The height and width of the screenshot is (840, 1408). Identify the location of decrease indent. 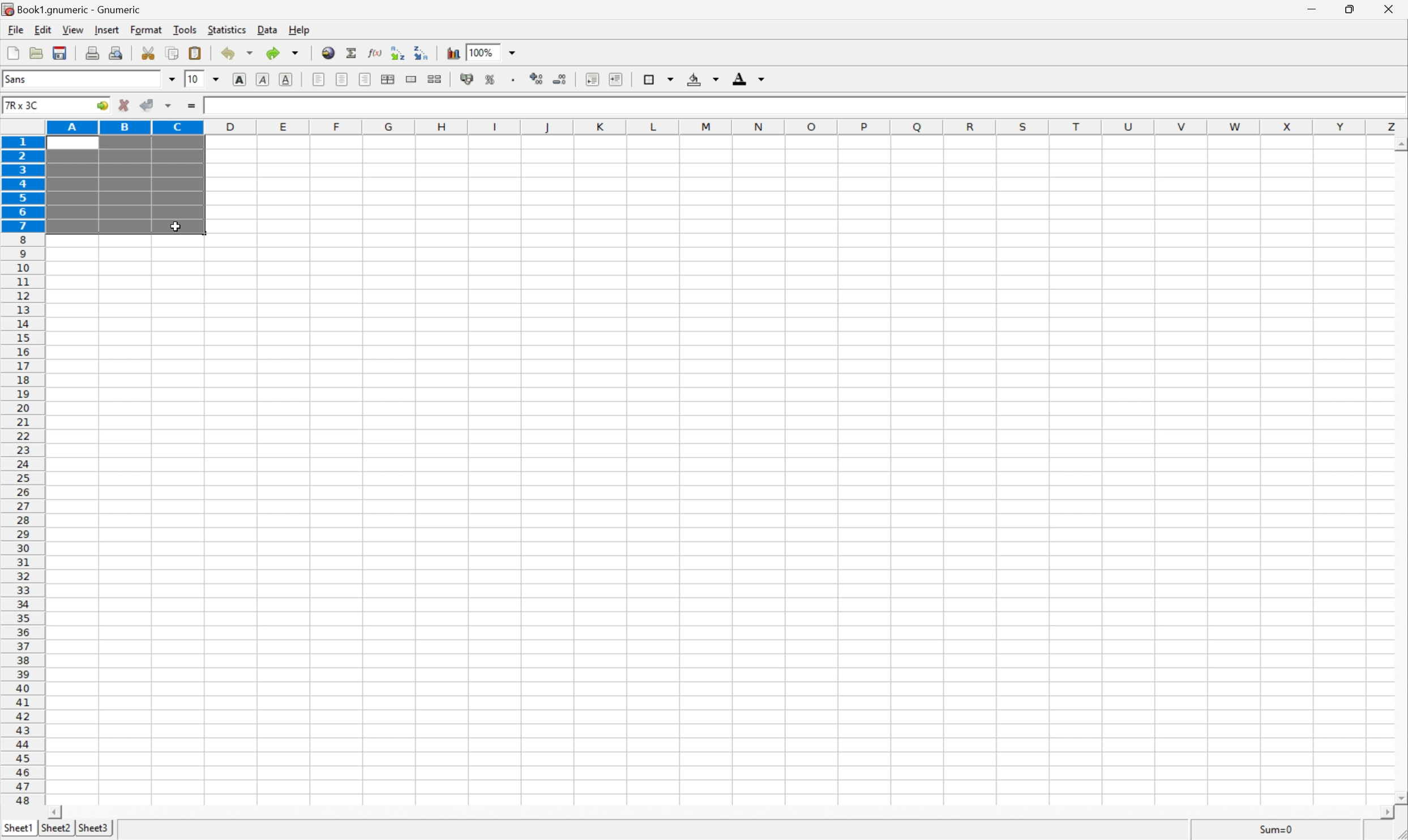
(592, 79).